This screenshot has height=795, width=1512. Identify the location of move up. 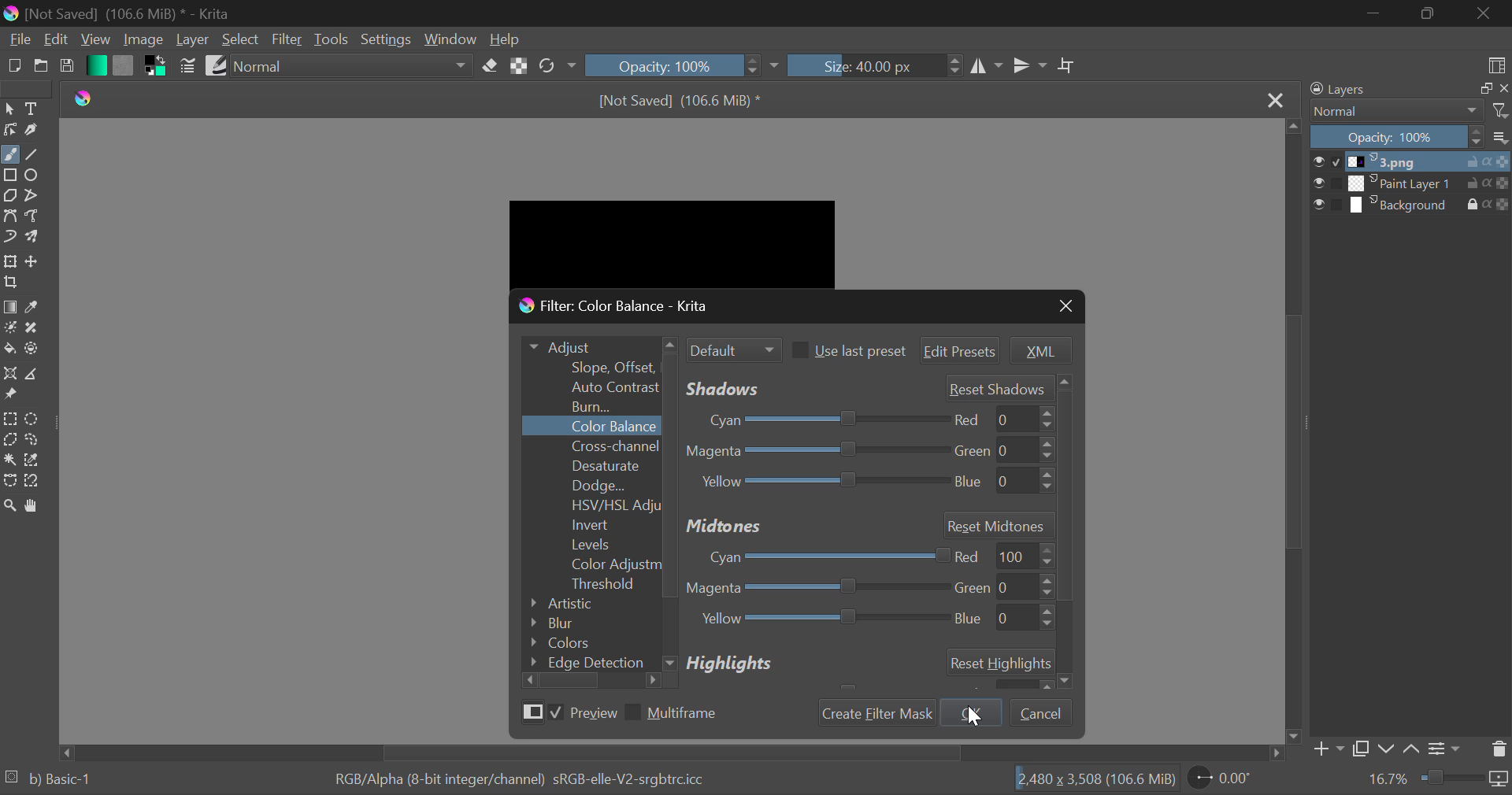
(1294, 129).